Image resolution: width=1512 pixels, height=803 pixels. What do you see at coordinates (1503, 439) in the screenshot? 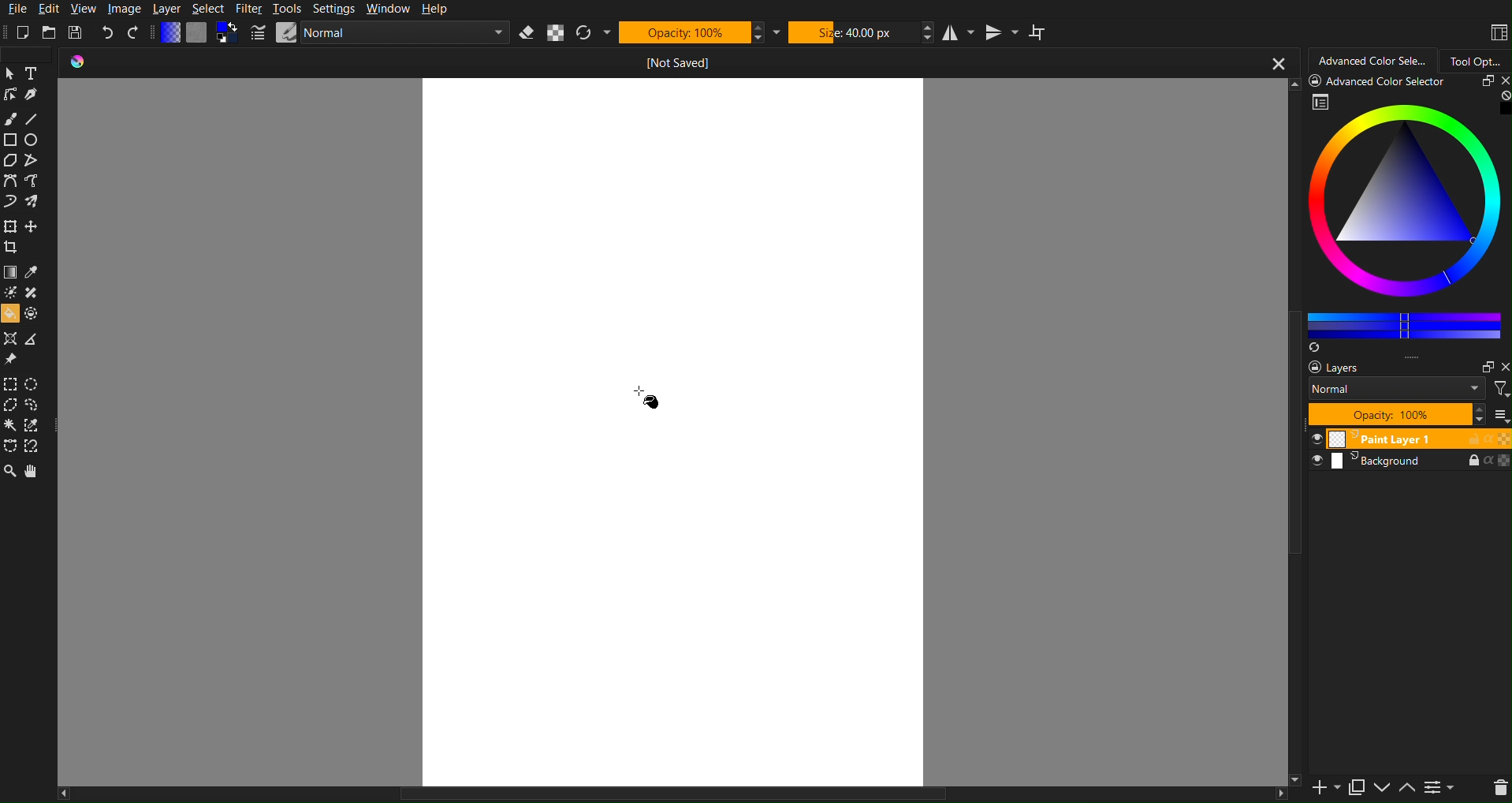
I see `opacity` at bounding box center [1503, 439].